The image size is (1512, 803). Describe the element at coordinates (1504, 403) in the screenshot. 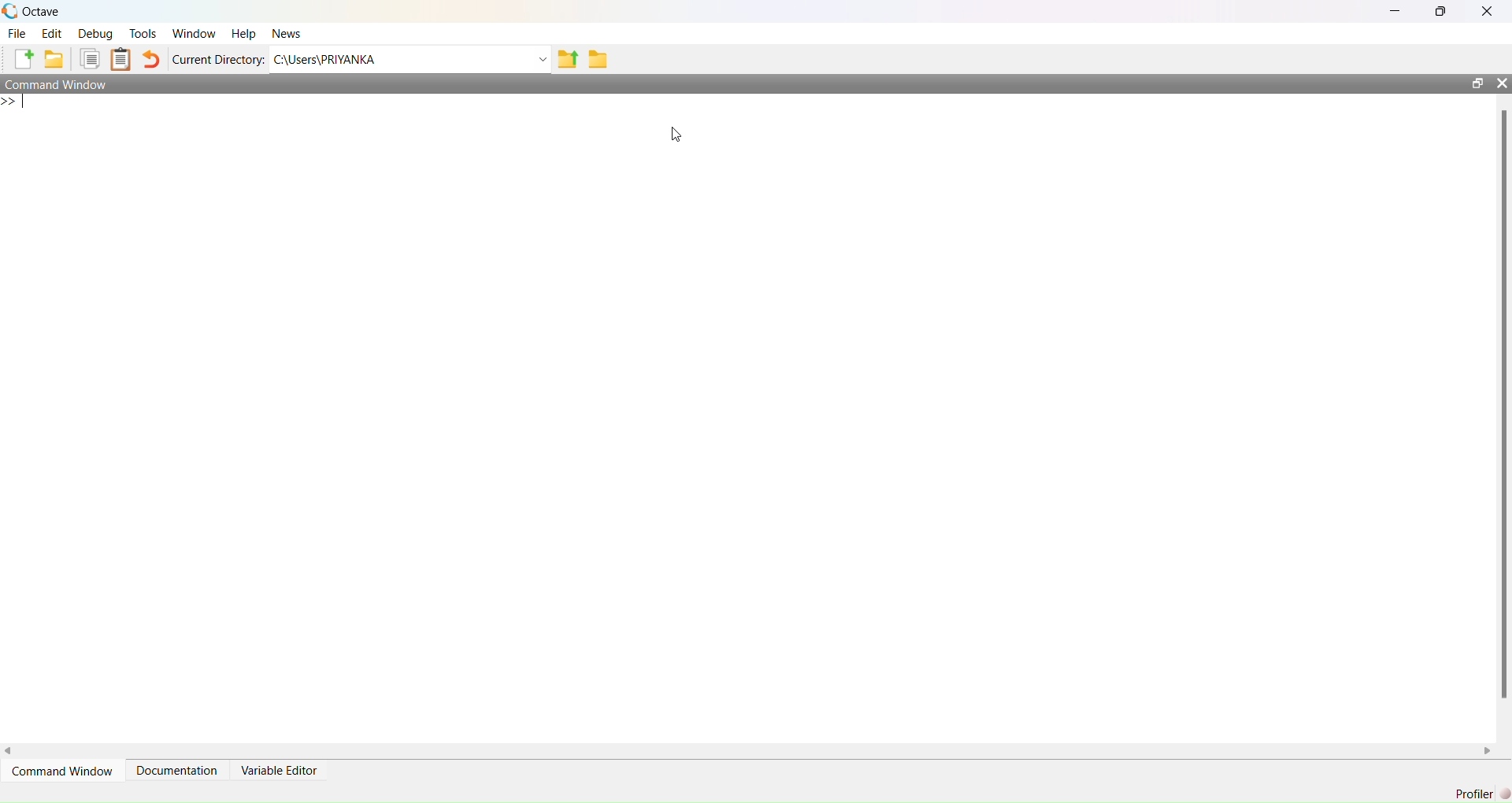

I see `scrollbar` at that location.